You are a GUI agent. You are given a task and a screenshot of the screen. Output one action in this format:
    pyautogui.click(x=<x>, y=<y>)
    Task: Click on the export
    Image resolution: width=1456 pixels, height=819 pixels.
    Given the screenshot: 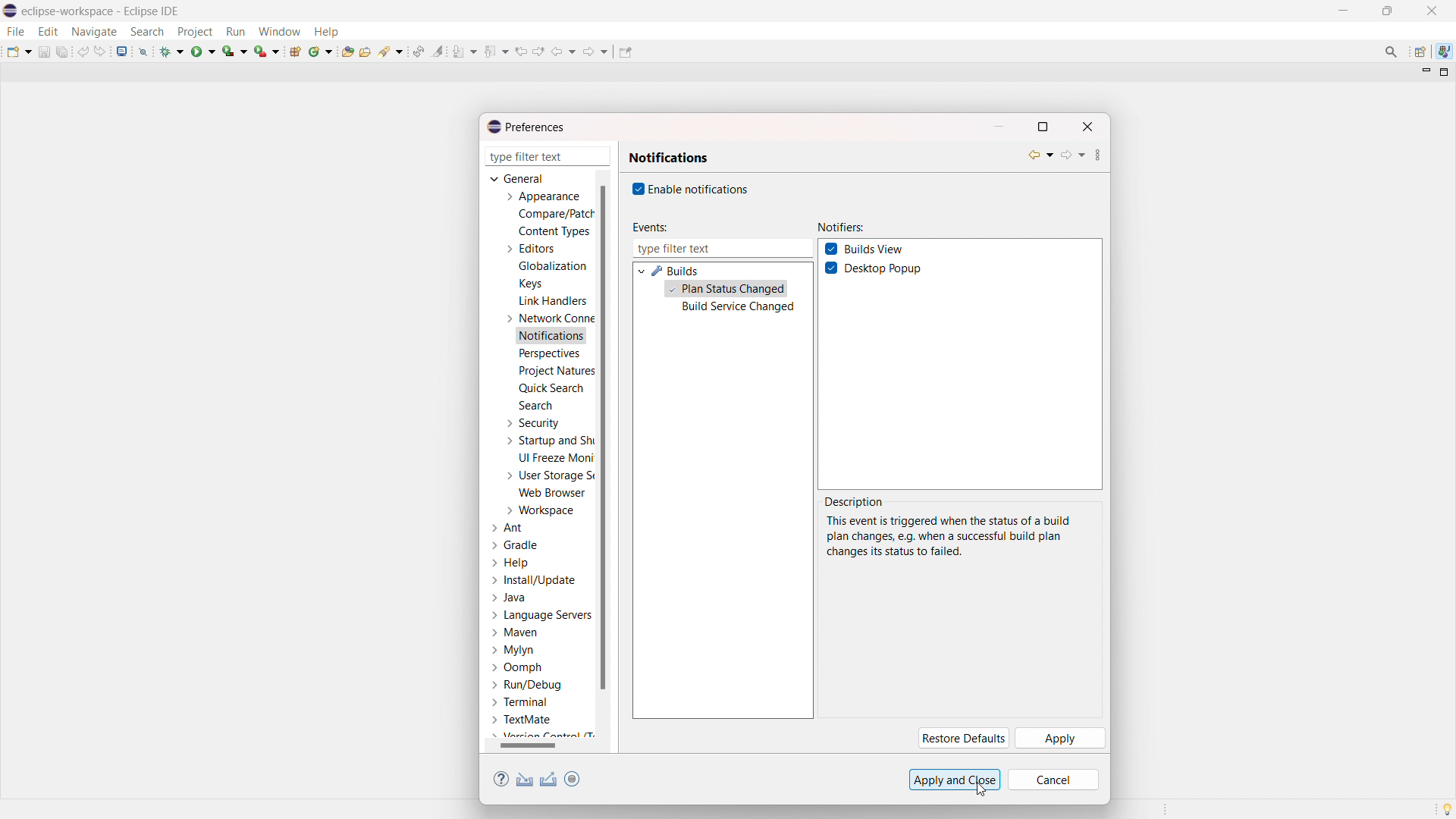 What is the action you would take?
    pyautogui.click(x=549, y=780)
    